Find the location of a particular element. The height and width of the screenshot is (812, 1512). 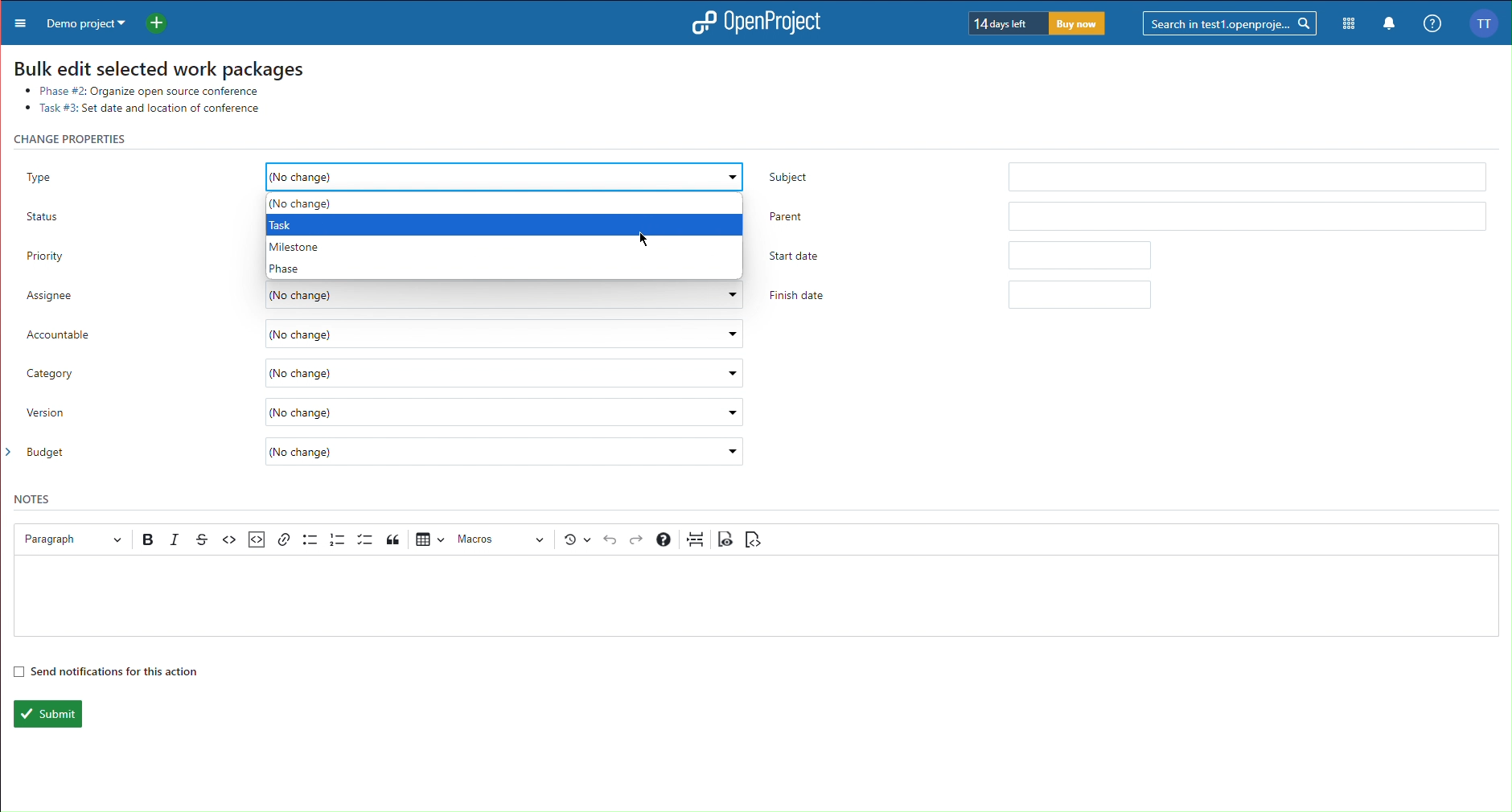

Italic is located at coordinates (176, 539).